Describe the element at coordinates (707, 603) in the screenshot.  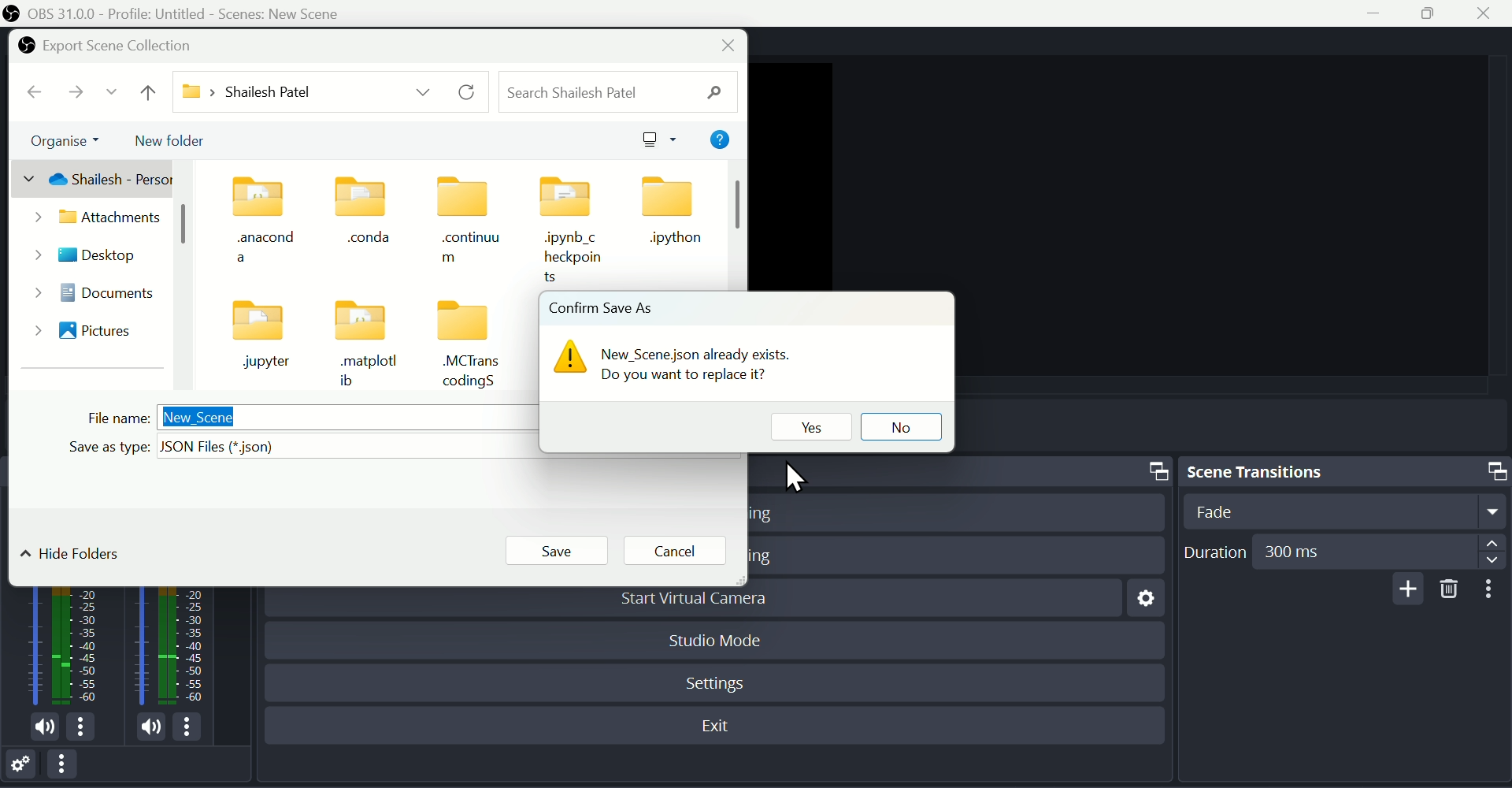
I see `start virtual camera` at that location.